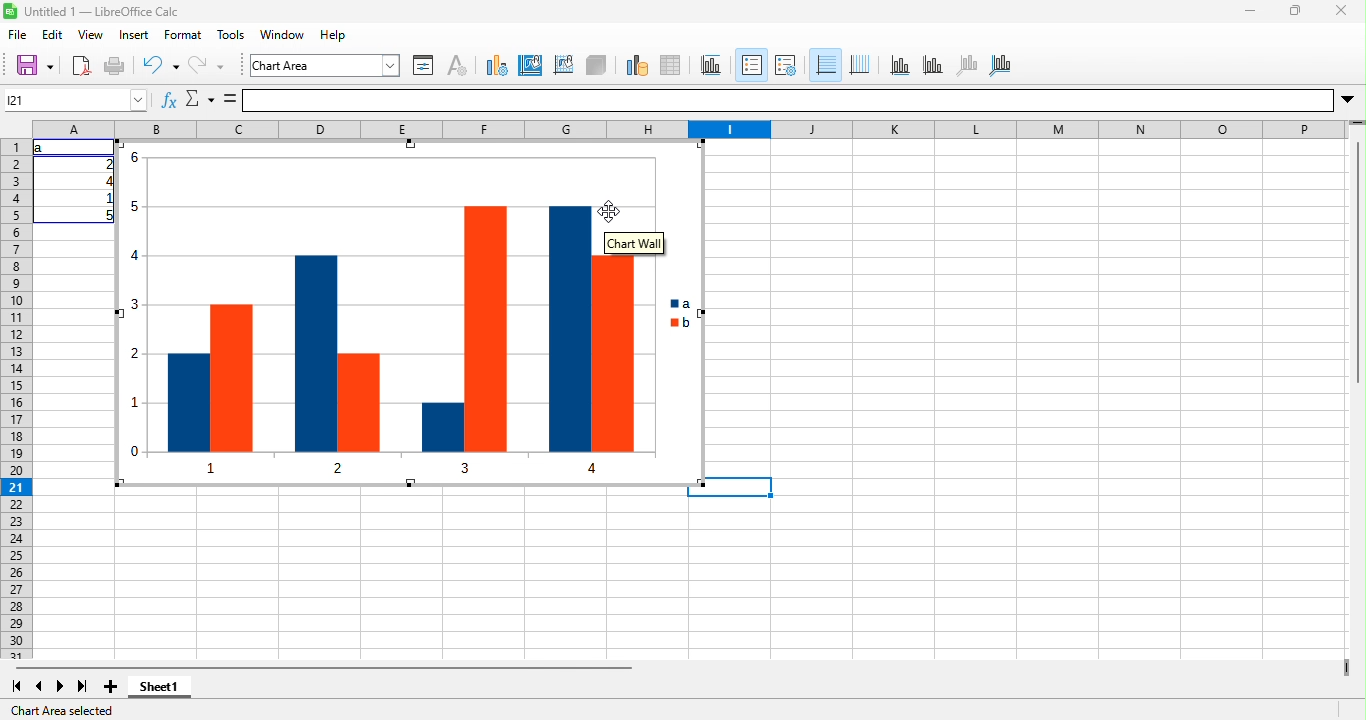  Describe the element at coordinates (1296, 11) in the screenshot. I see `maximize` at that location.